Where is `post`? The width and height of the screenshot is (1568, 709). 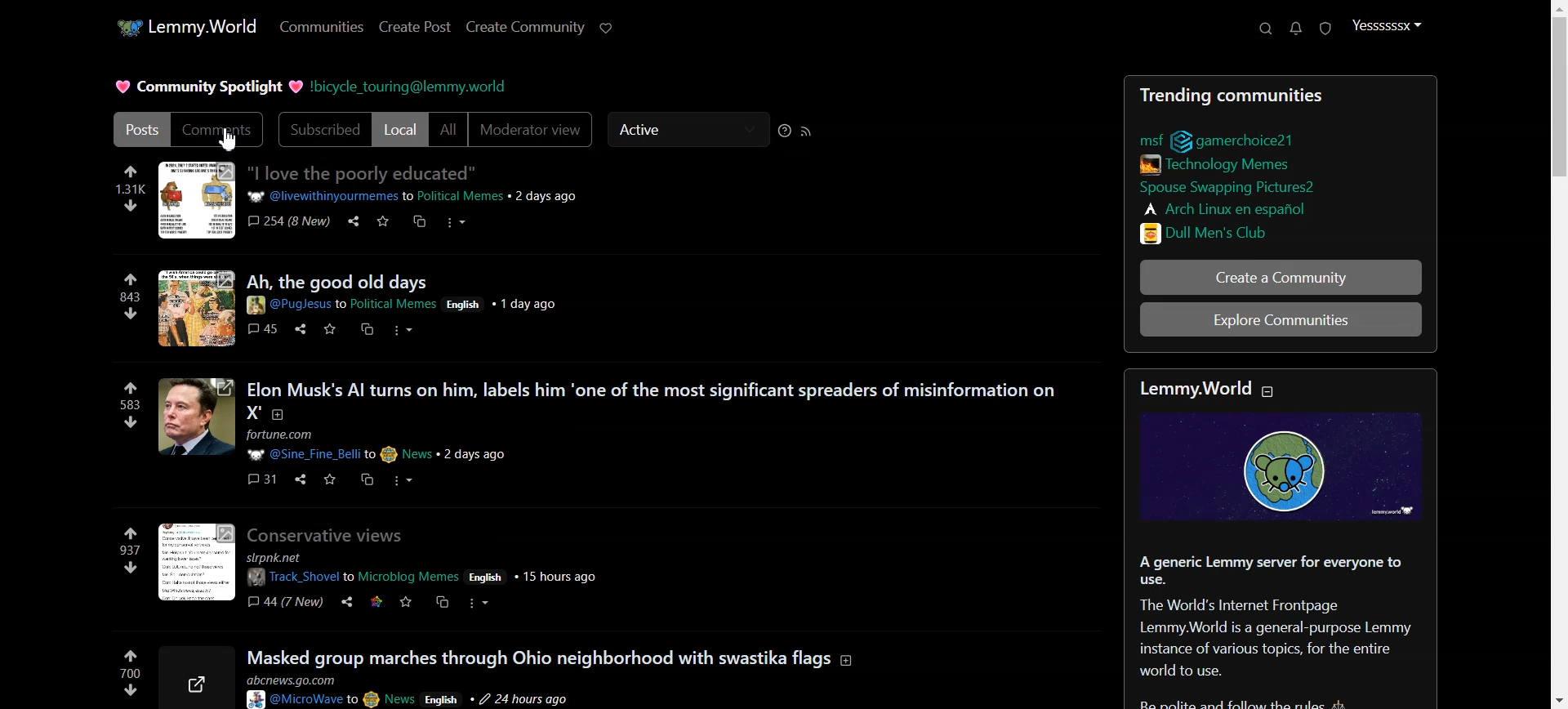
post is located at coordinates (660, 398).